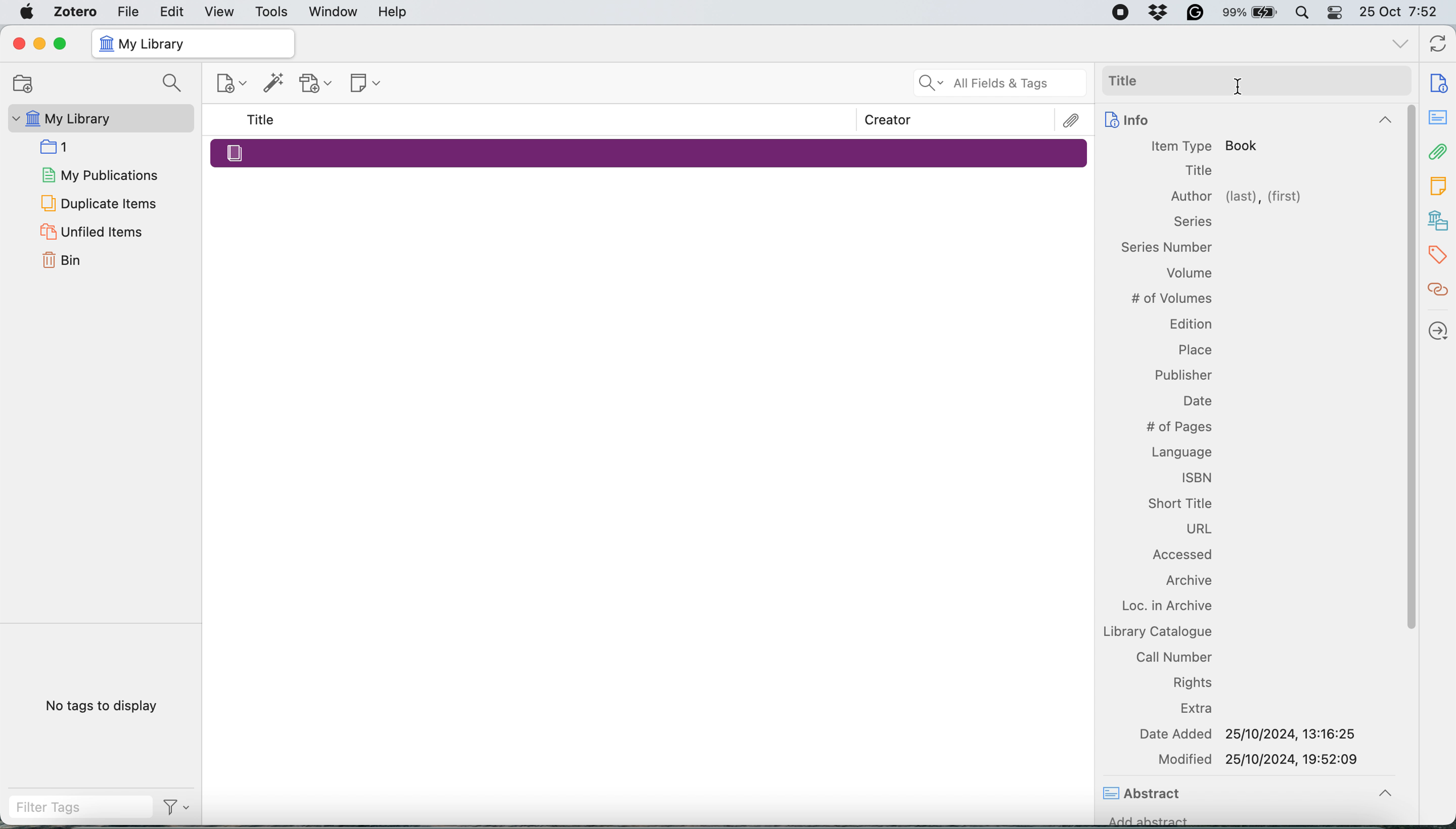  What do you see at coordinates (1240, 88) in the screenshot?
I see `Cursor Position` at bounding box center [1240, 88].